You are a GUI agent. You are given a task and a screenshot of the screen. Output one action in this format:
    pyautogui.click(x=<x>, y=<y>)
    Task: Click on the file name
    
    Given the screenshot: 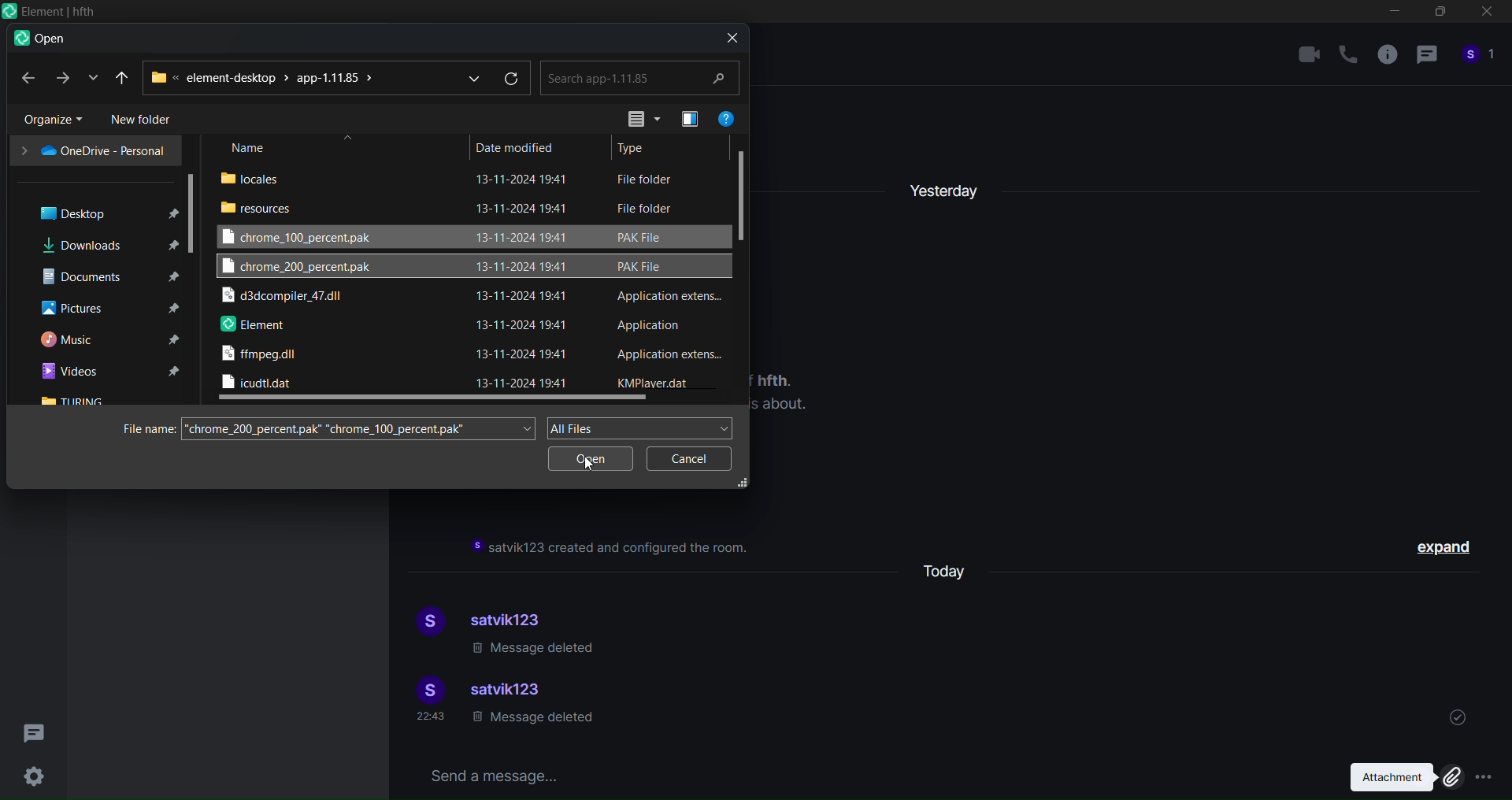 What is the action you would take?
    pyautogui.click(x=144, y=429)
    